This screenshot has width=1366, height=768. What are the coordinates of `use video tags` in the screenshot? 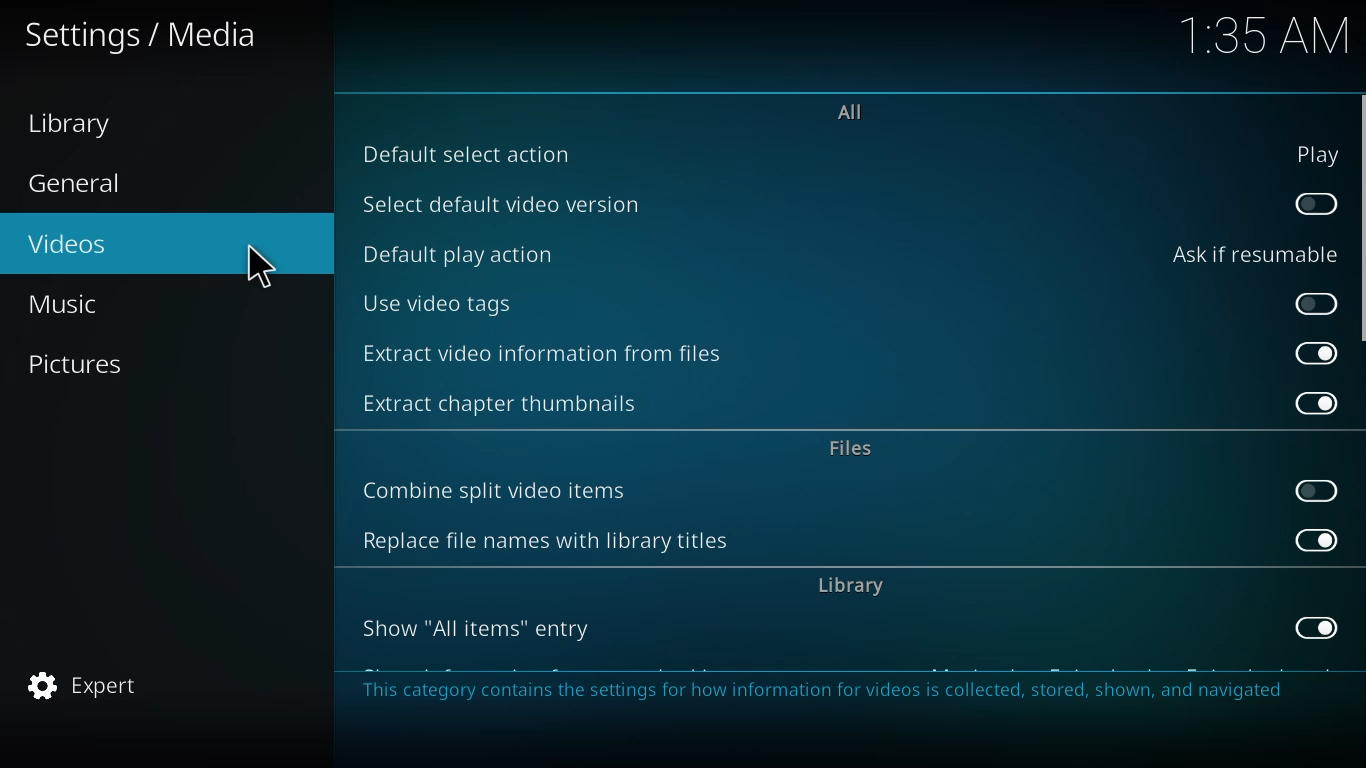 It's located at (437, 303).